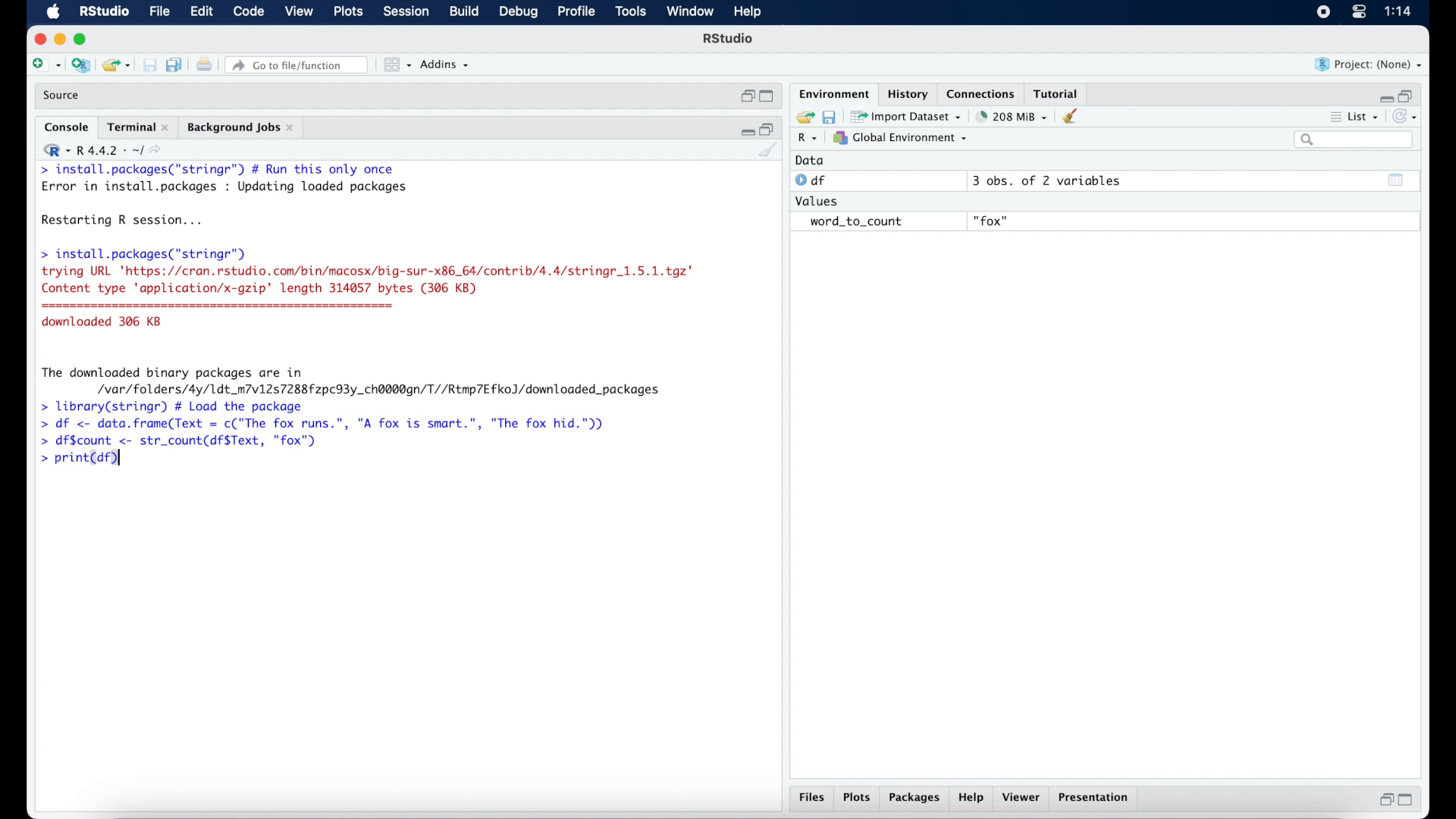 This screenshot has height=819, width=1456. Describe the element at coordinates (915, 799) in the screenshot. I see `packages` at that location.